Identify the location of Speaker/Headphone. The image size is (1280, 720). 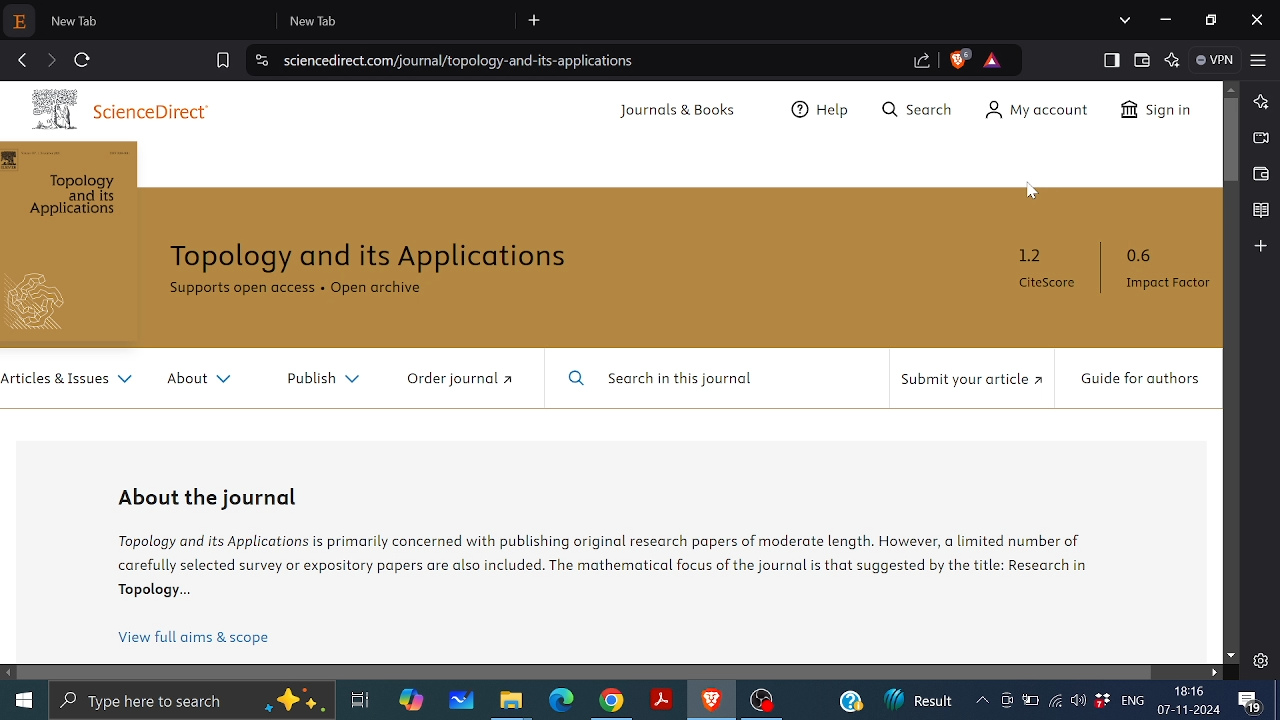
(1078, 700).